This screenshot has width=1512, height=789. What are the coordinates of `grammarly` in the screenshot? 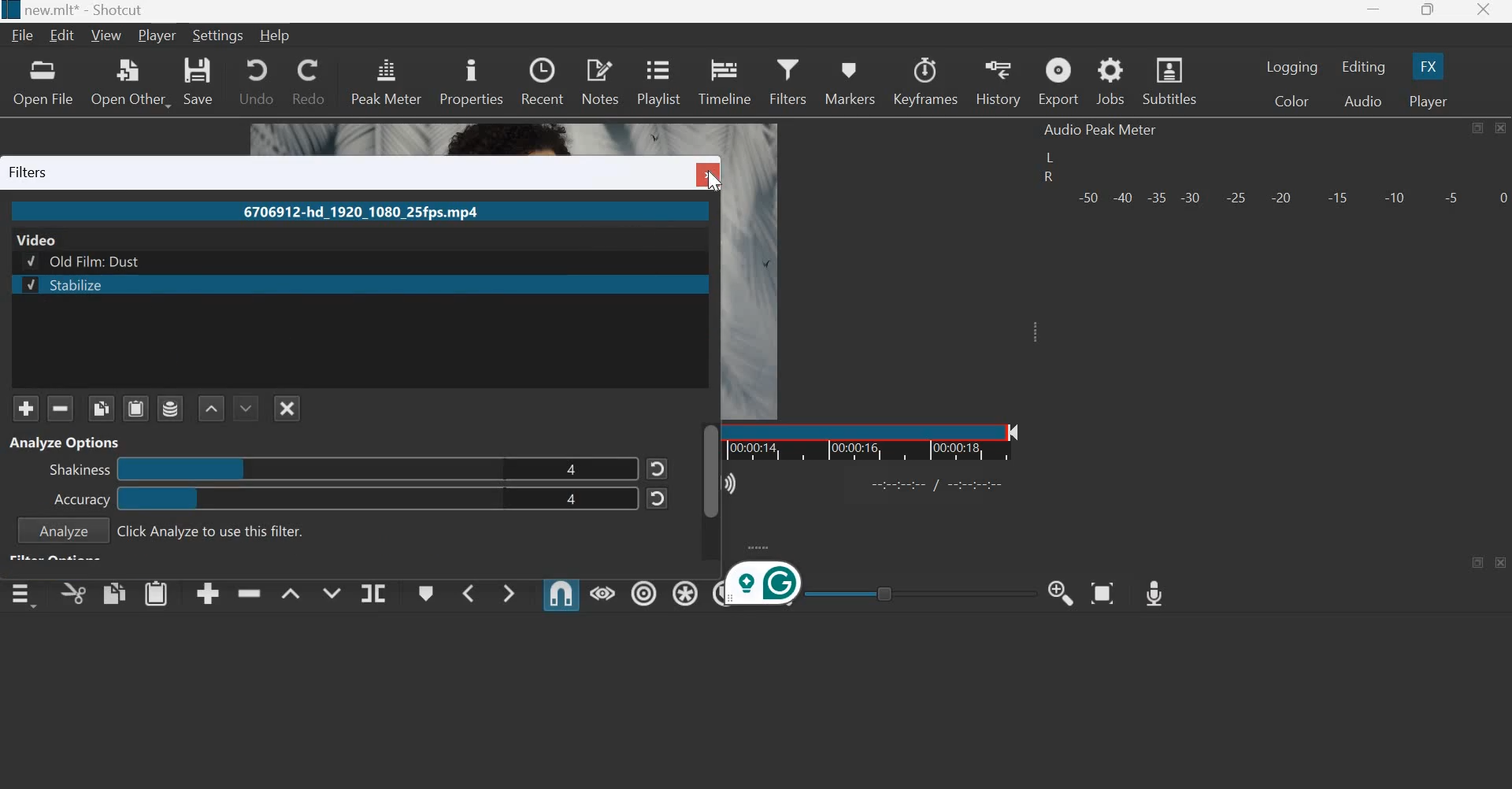 It's located at (764, 585).